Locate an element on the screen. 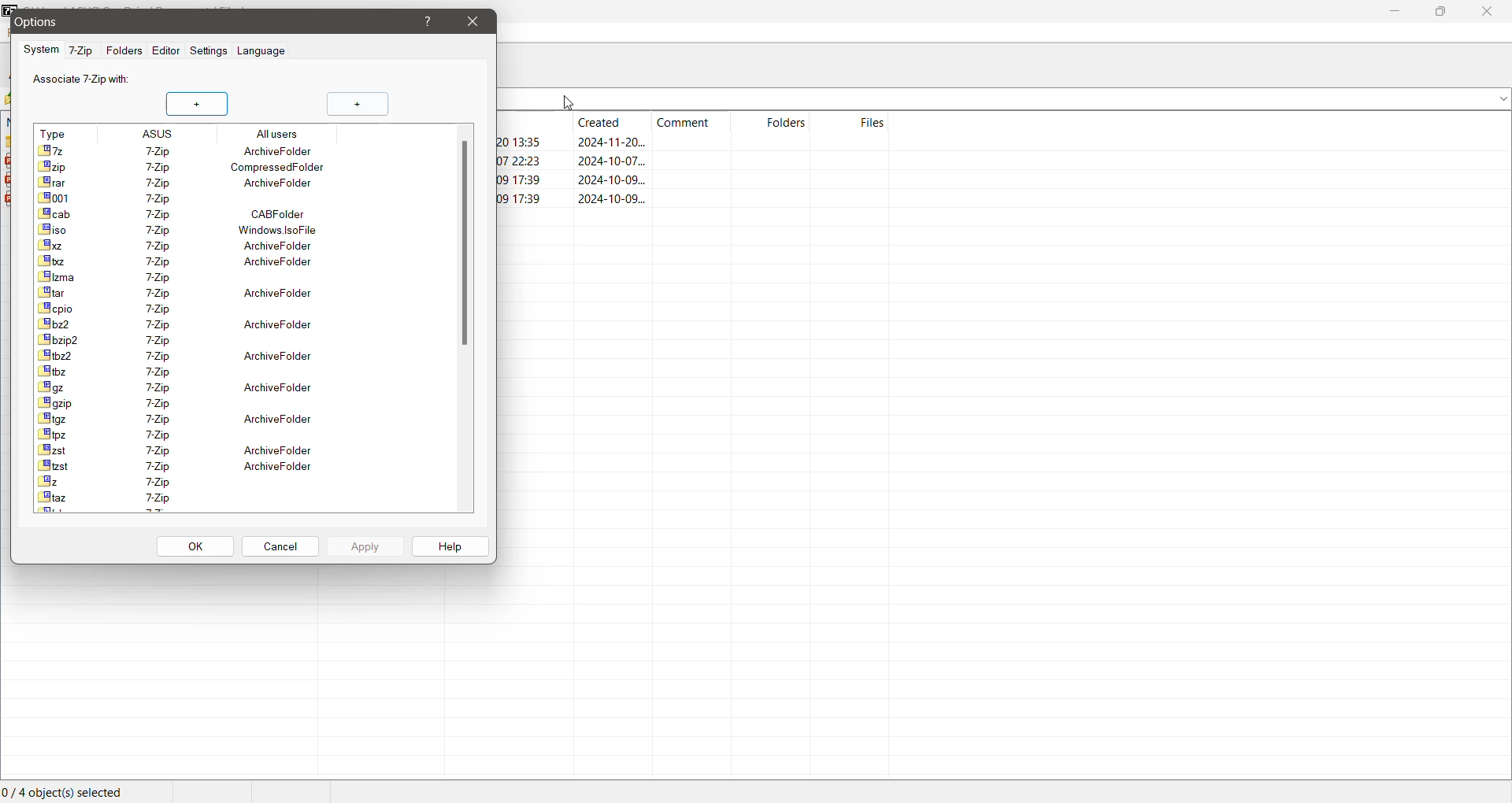  Archive folder is located at coordinates (184, 183).